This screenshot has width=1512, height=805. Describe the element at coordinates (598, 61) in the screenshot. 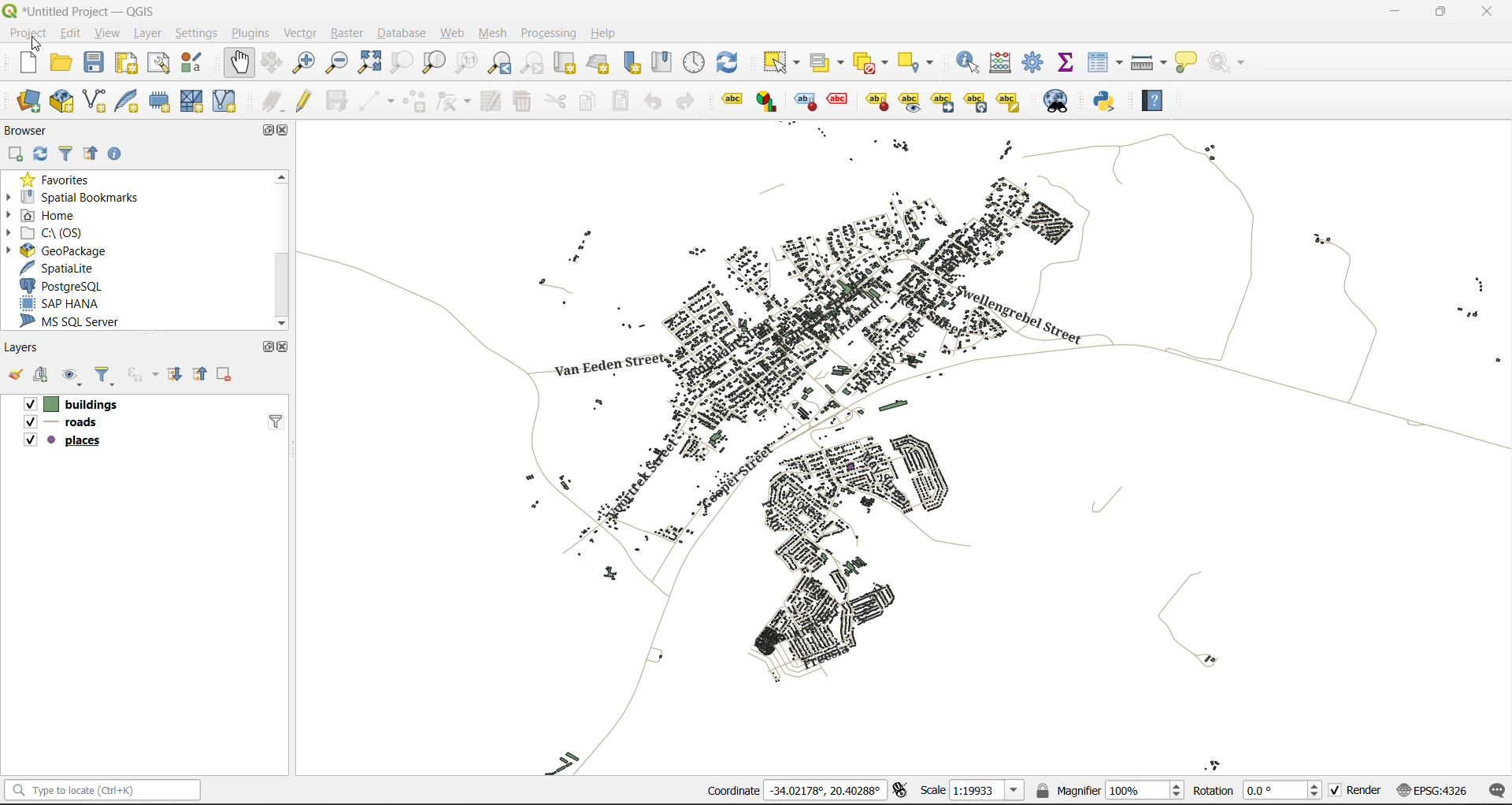

I see `new 3d map view` at that location.